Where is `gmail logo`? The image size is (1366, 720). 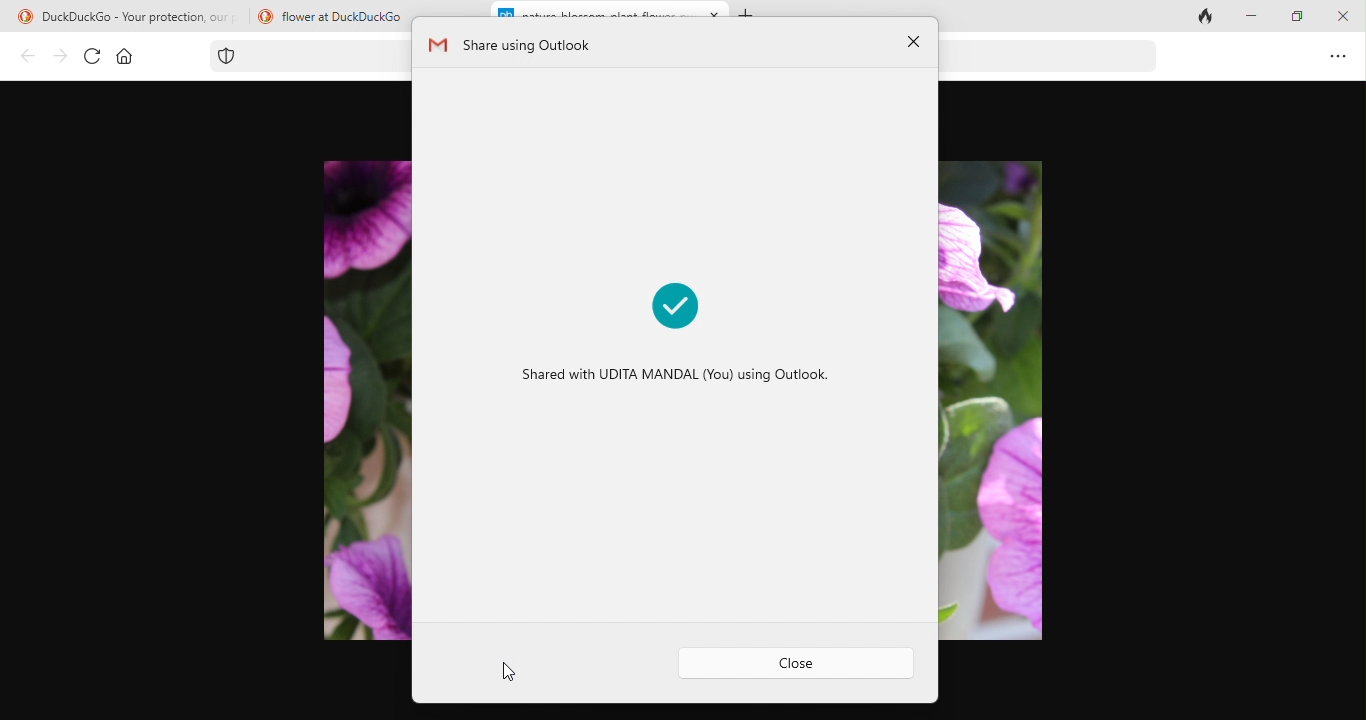
gmail logo is located at coordinates (438, 46).